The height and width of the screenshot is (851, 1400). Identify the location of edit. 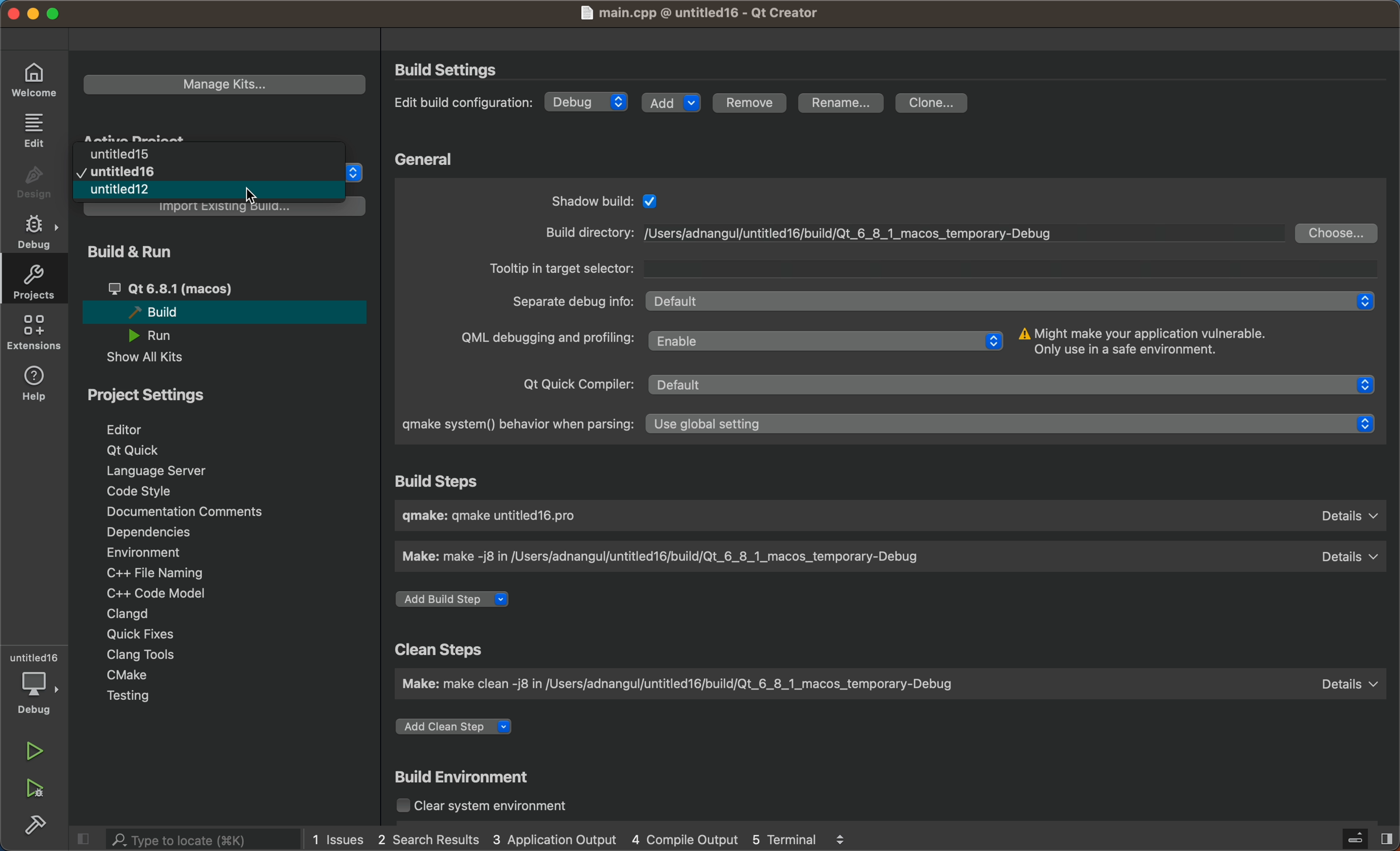
(34, 129).